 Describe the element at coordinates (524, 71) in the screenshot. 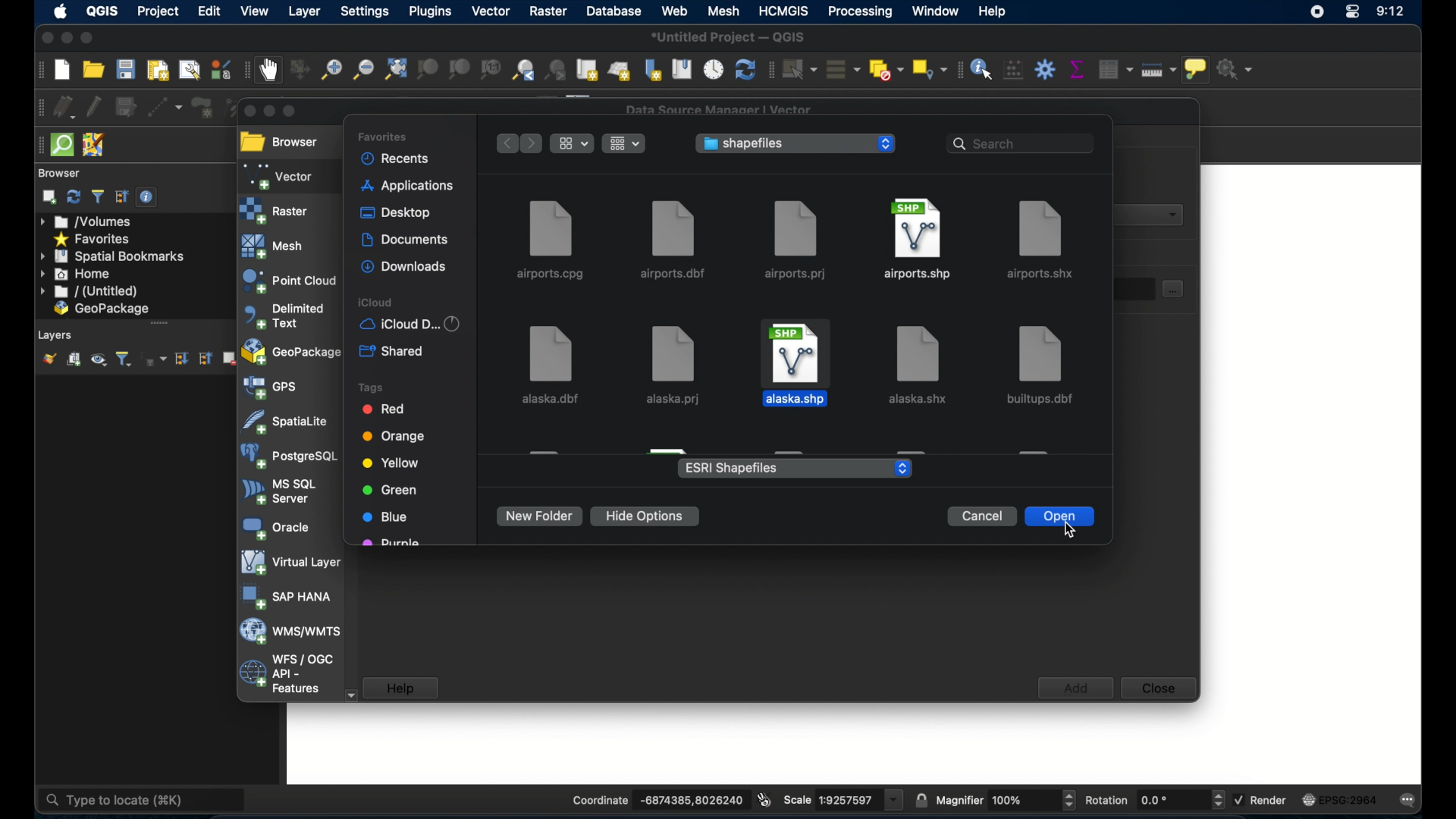

I see `zoom last` at that location.